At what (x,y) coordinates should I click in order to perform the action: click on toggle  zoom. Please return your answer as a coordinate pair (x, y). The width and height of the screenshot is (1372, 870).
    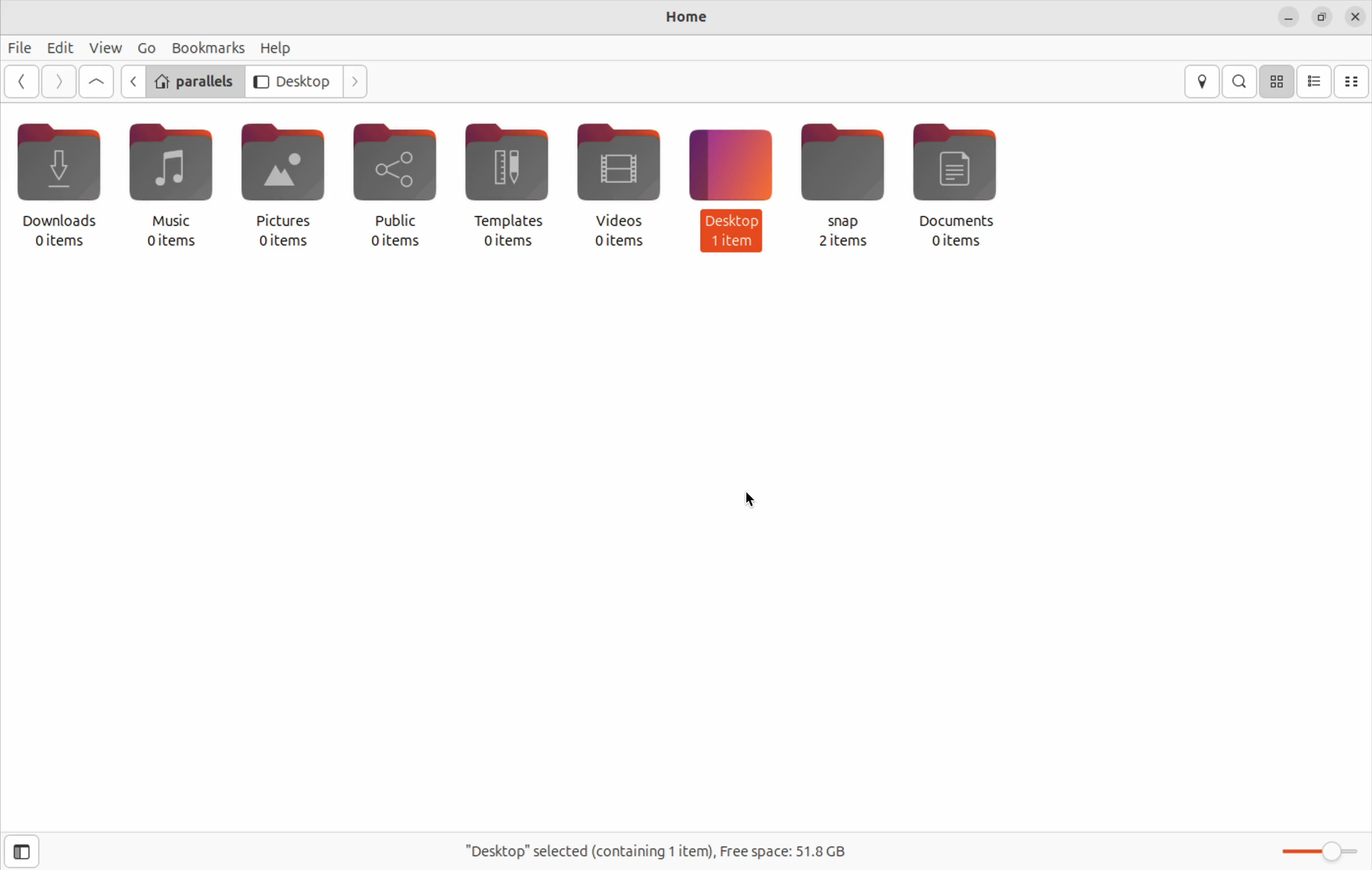
    Looking at the image, I should click on (1320, 847).